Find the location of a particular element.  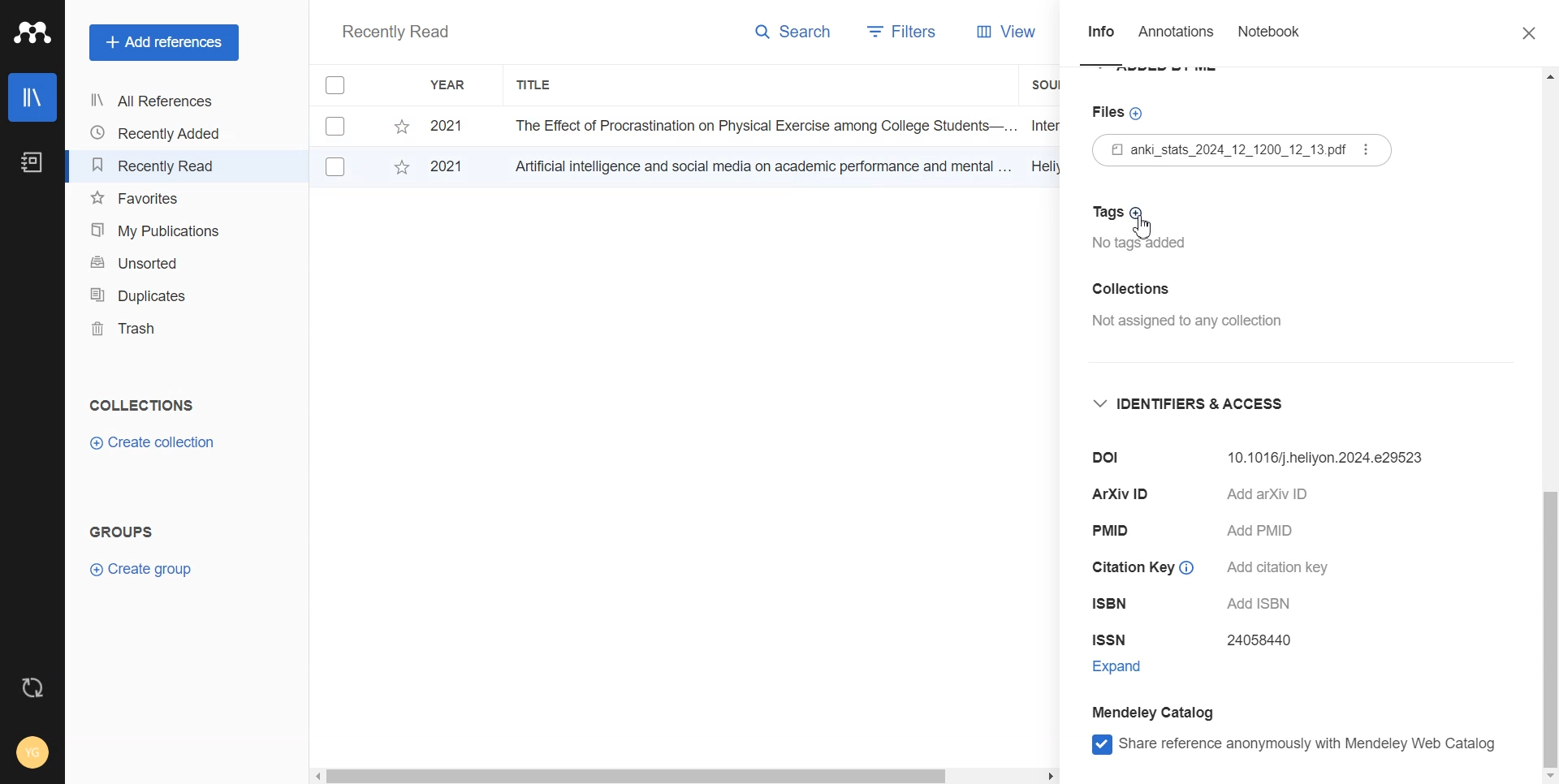

All References is located at coordinates (158, 101).